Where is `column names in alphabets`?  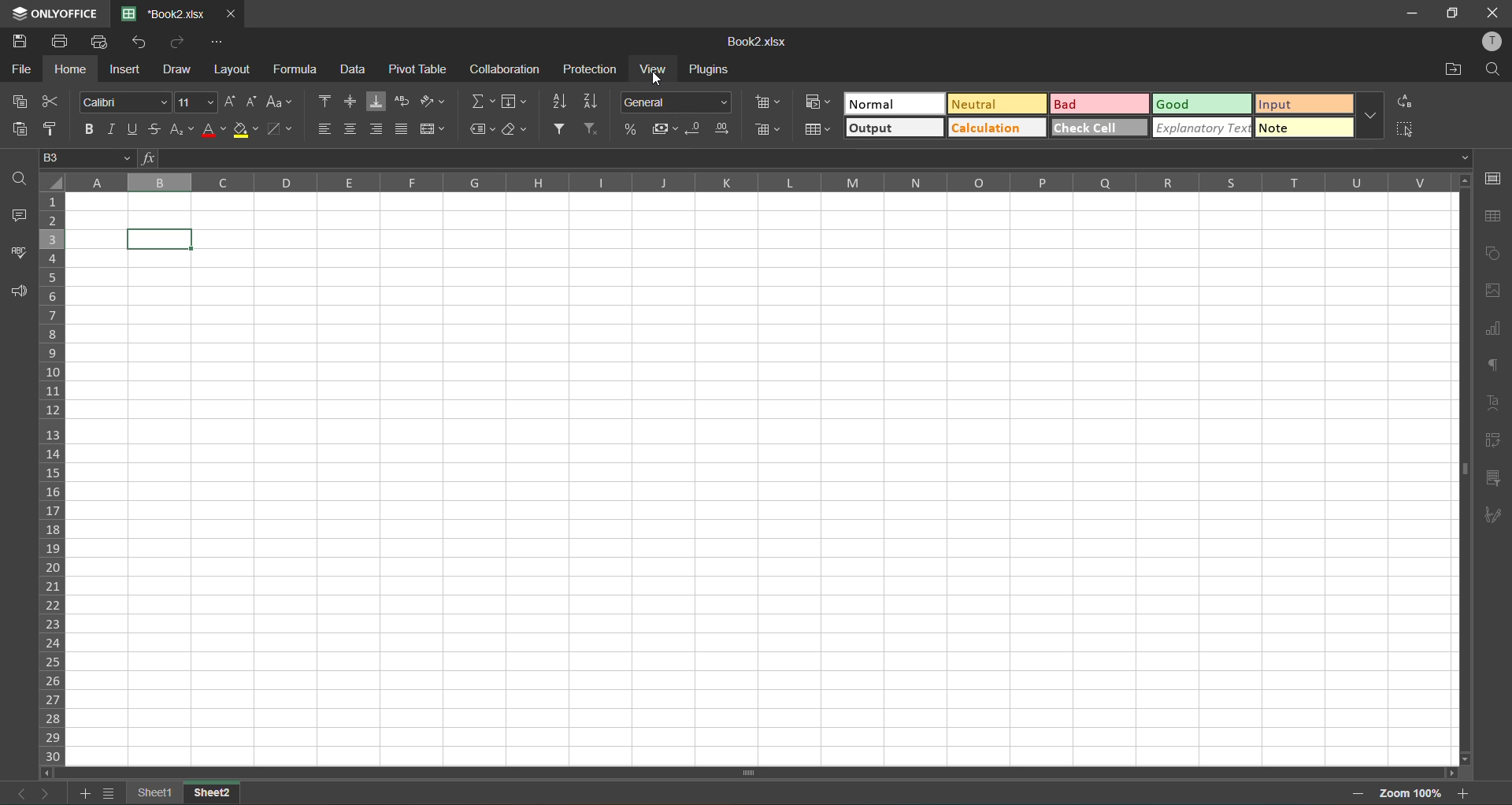
column names in alphabets is located at coordinates (755, 183).